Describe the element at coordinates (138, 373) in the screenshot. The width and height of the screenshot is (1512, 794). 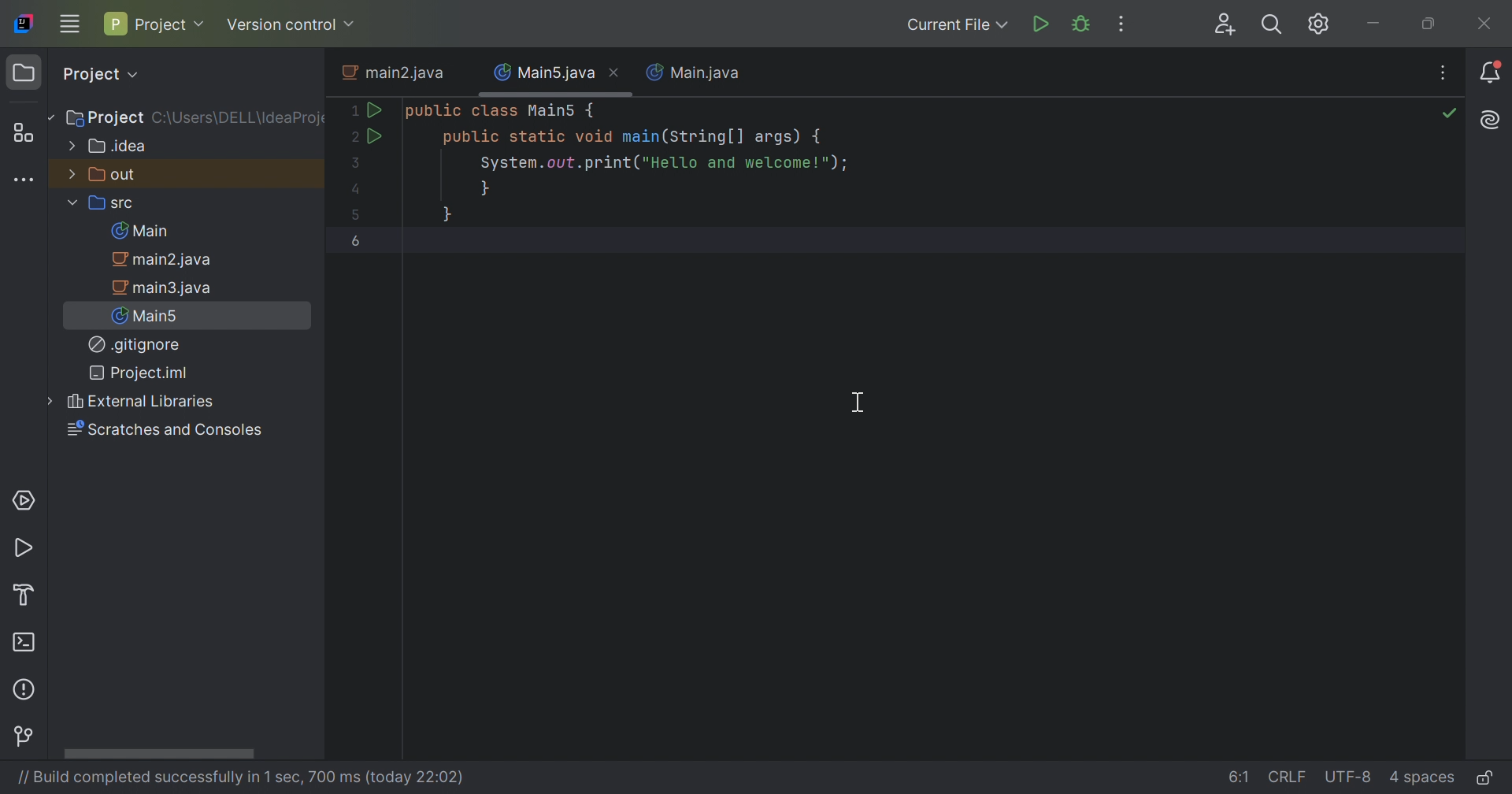
I see `Project.iml` at that location.